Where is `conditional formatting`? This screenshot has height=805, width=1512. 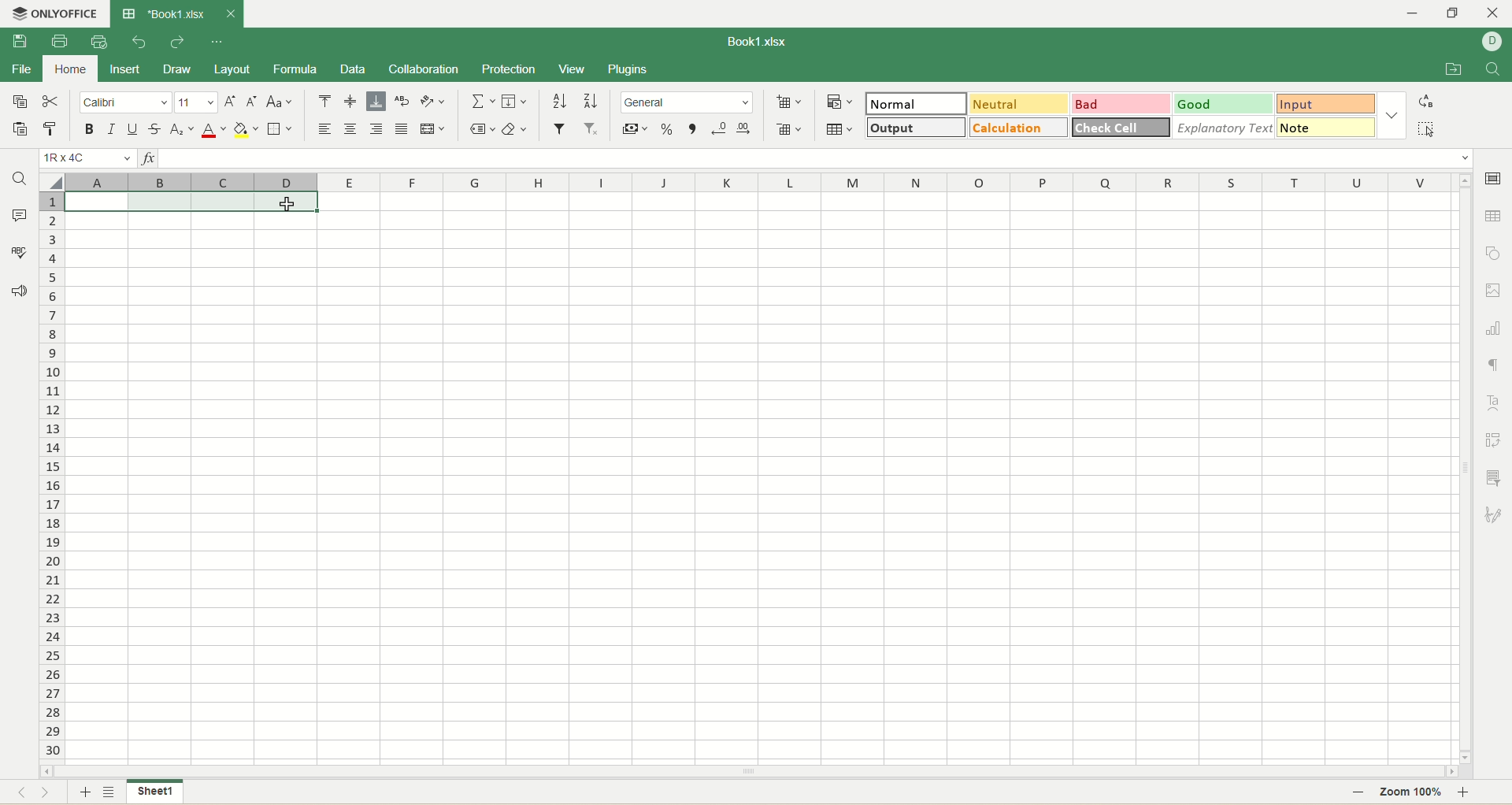
conditional formatting is located at coordinates (838, 101).